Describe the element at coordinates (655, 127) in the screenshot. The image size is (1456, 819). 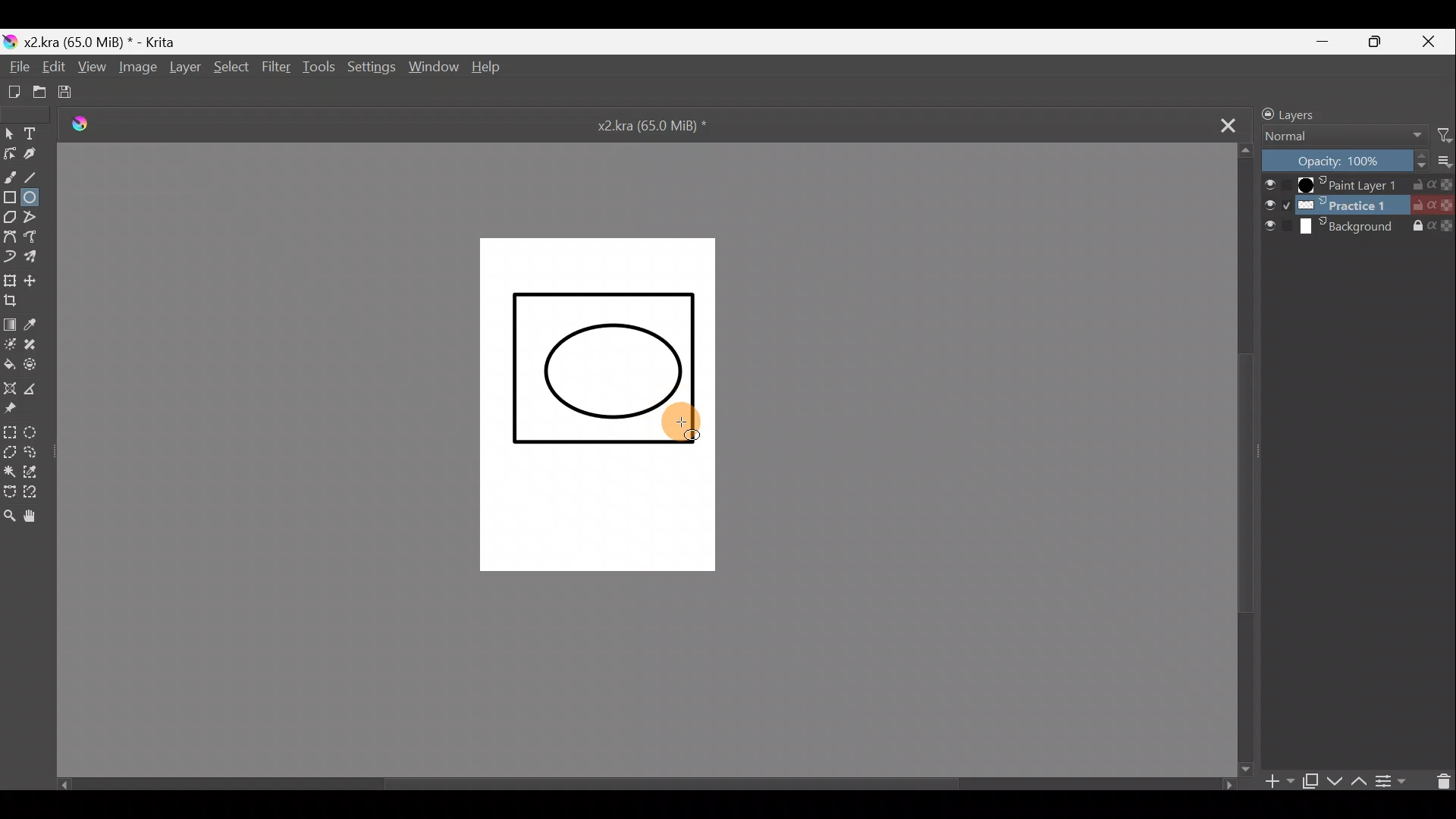
I see `x2.kra (65.0 MiB) *` at that location.